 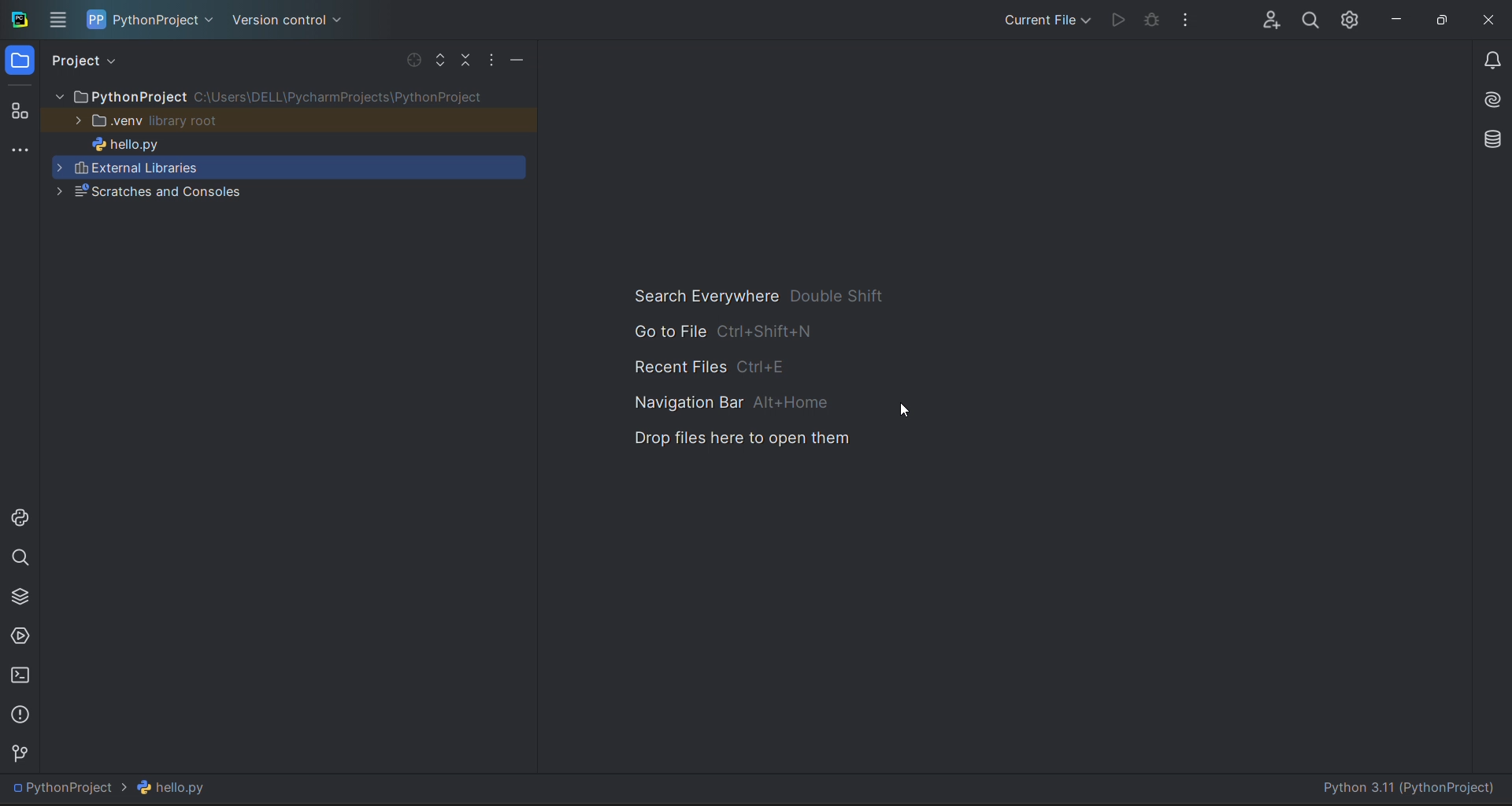 I want to click on structur, so click(x=20, y=110).